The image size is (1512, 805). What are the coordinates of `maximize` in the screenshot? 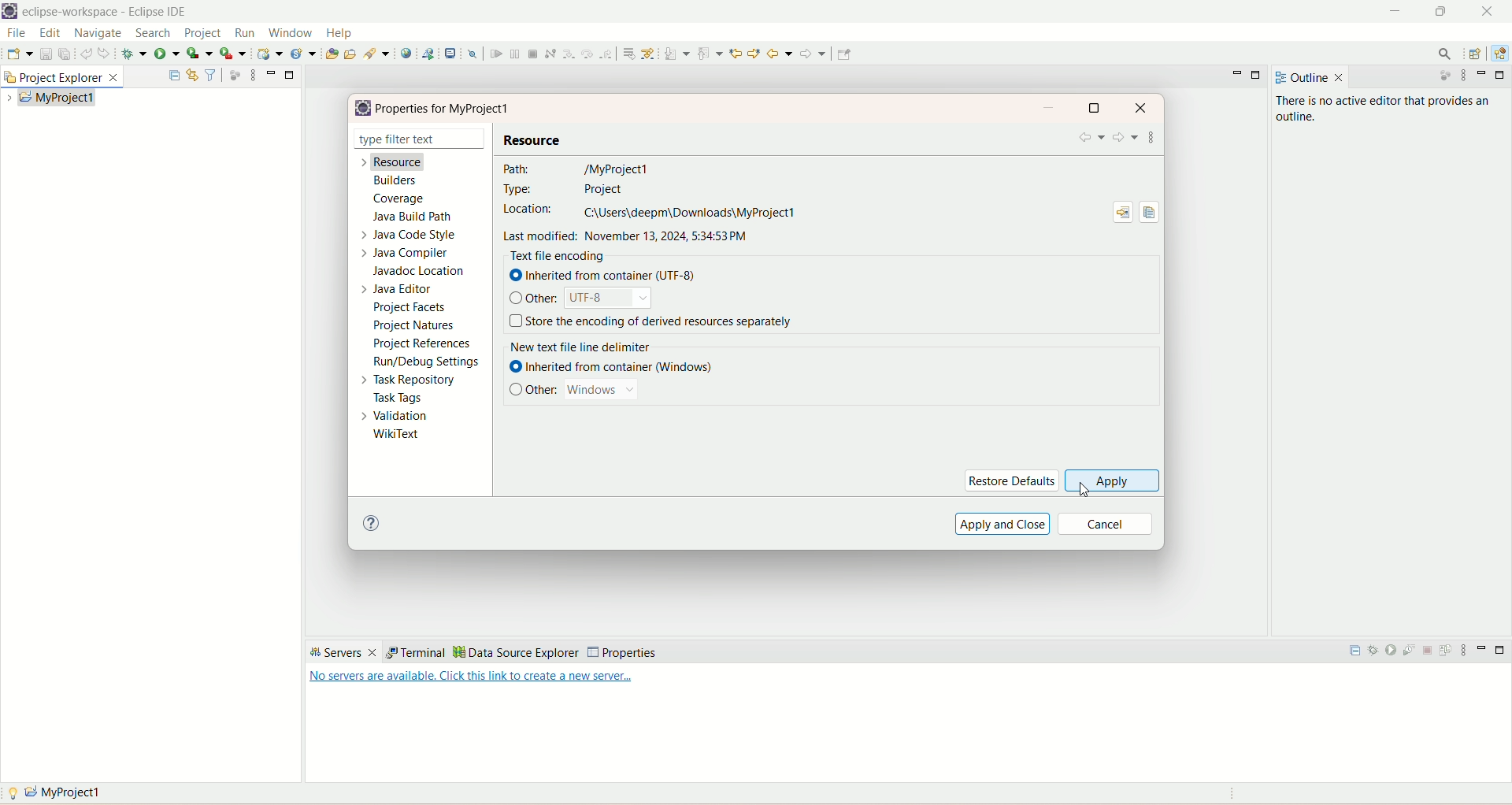 It's located at (1093, 108).